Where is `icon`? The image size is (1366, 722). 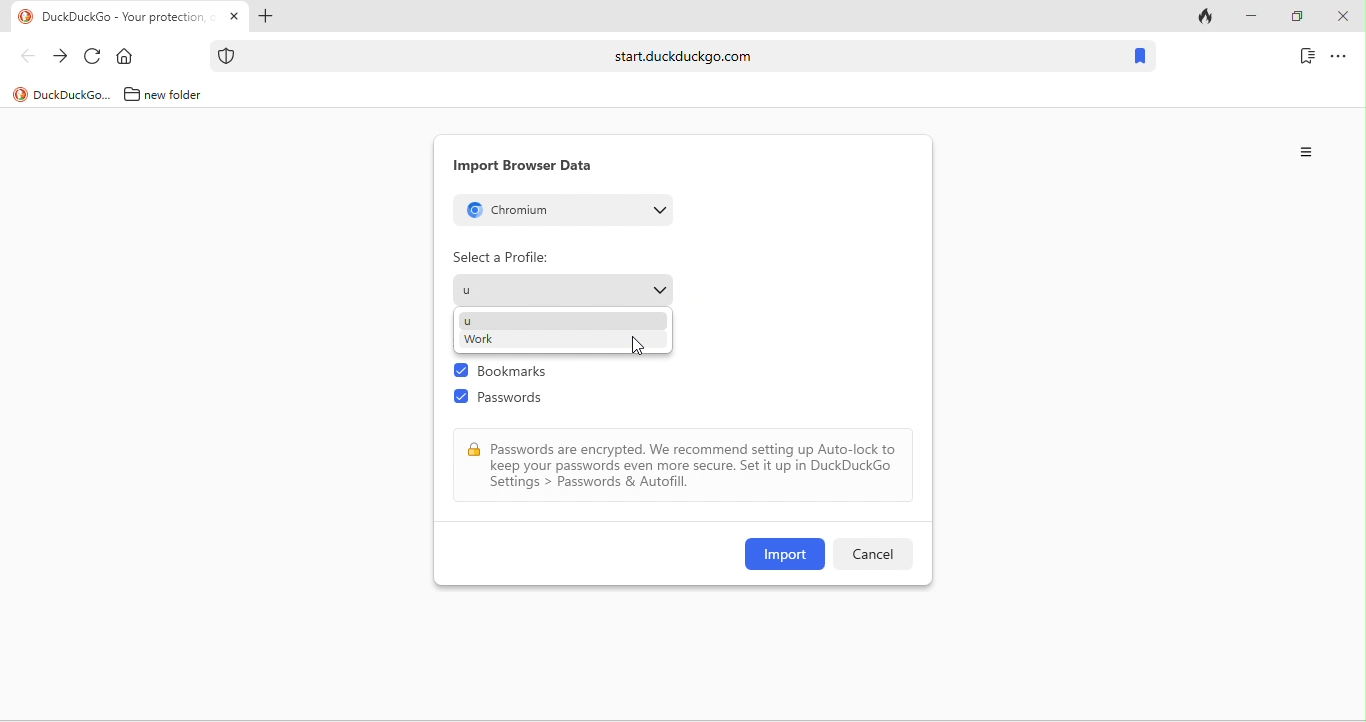
icon is located at coordinates (227, 56).